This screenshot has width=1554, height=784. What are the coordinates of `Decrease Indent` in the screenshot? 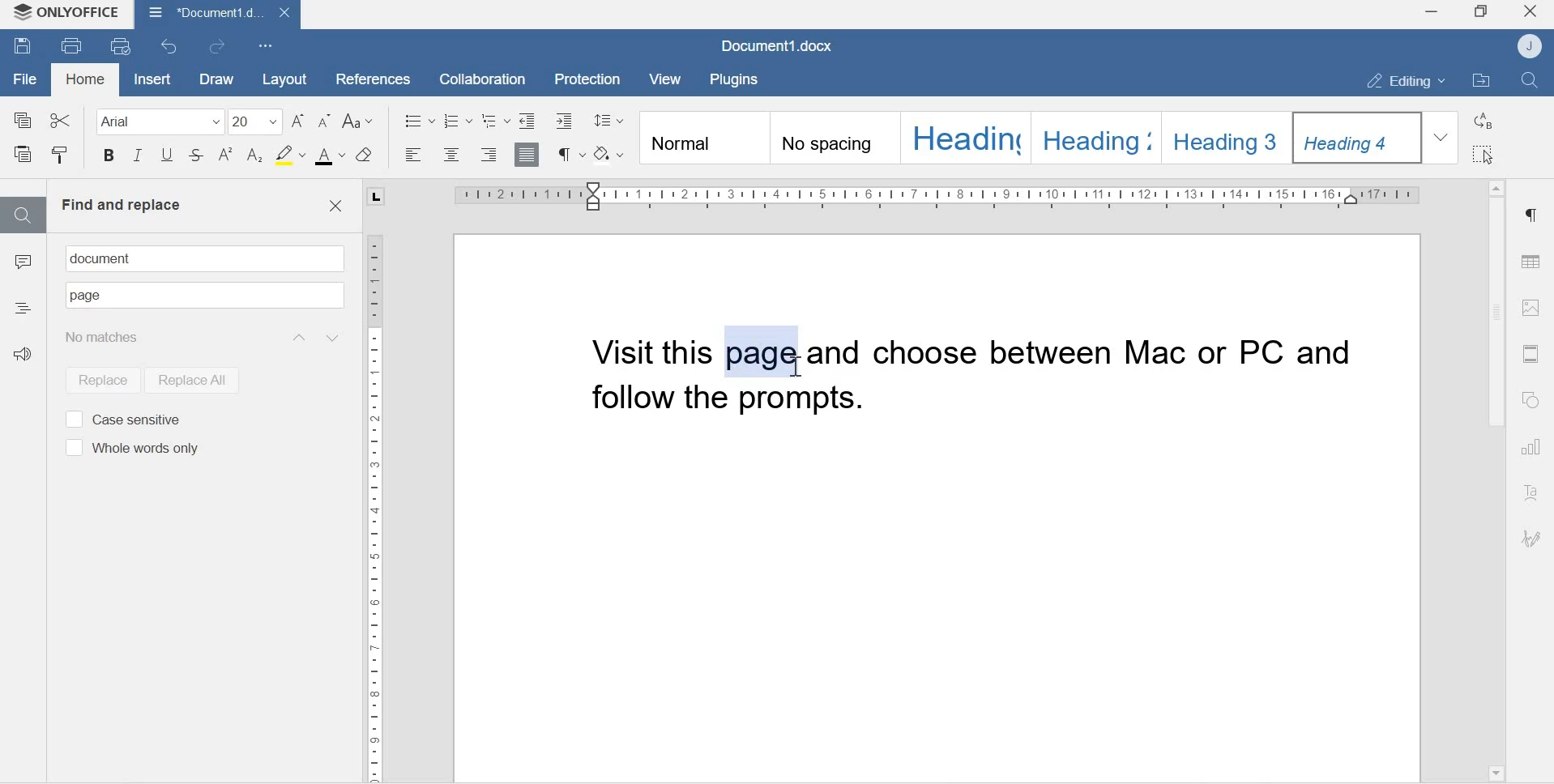 It's located at (568, 120).